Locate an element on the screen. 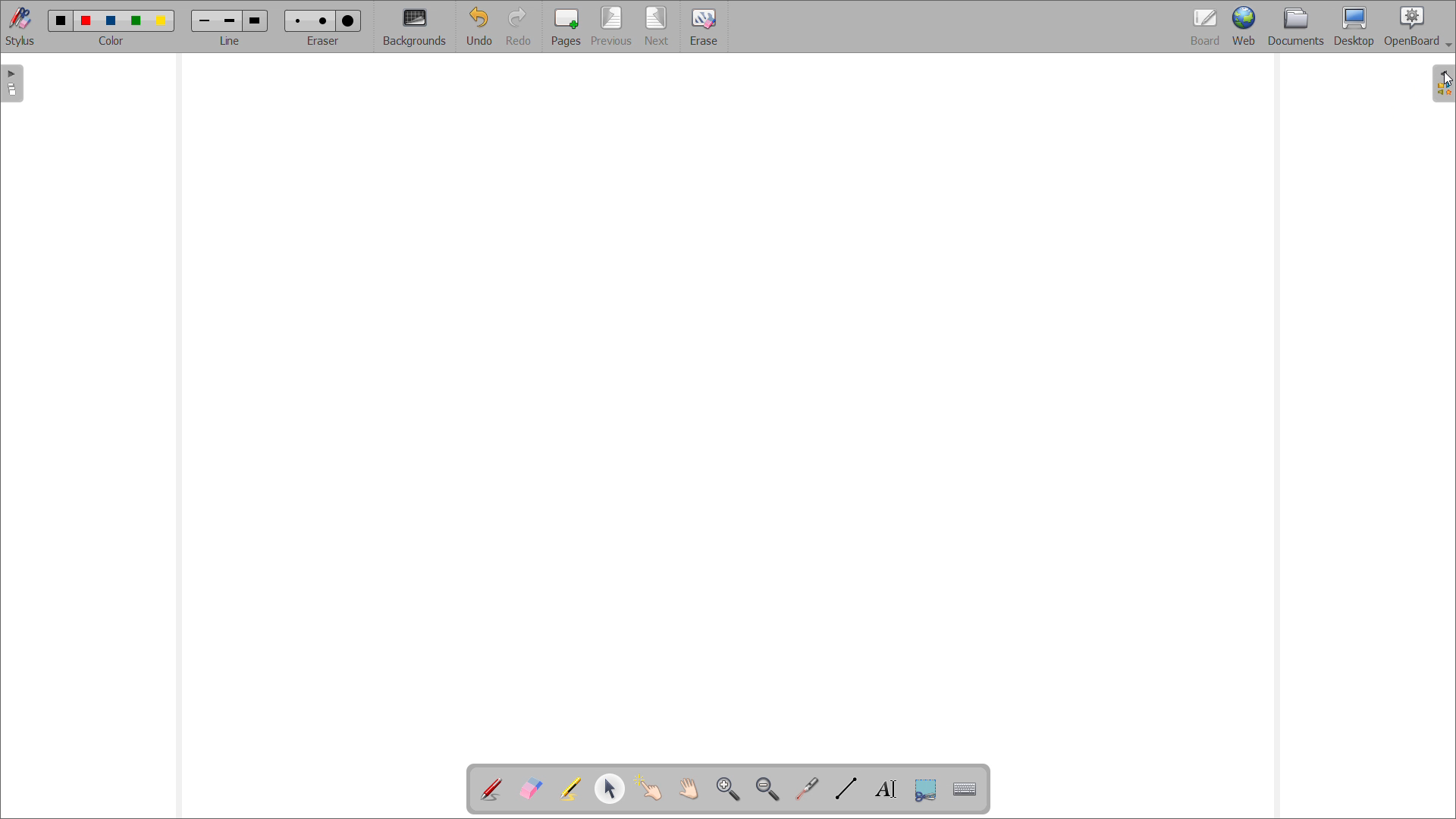 The width and height of the screenshot is (1456, 819). color is located at coordinates (112, 41).